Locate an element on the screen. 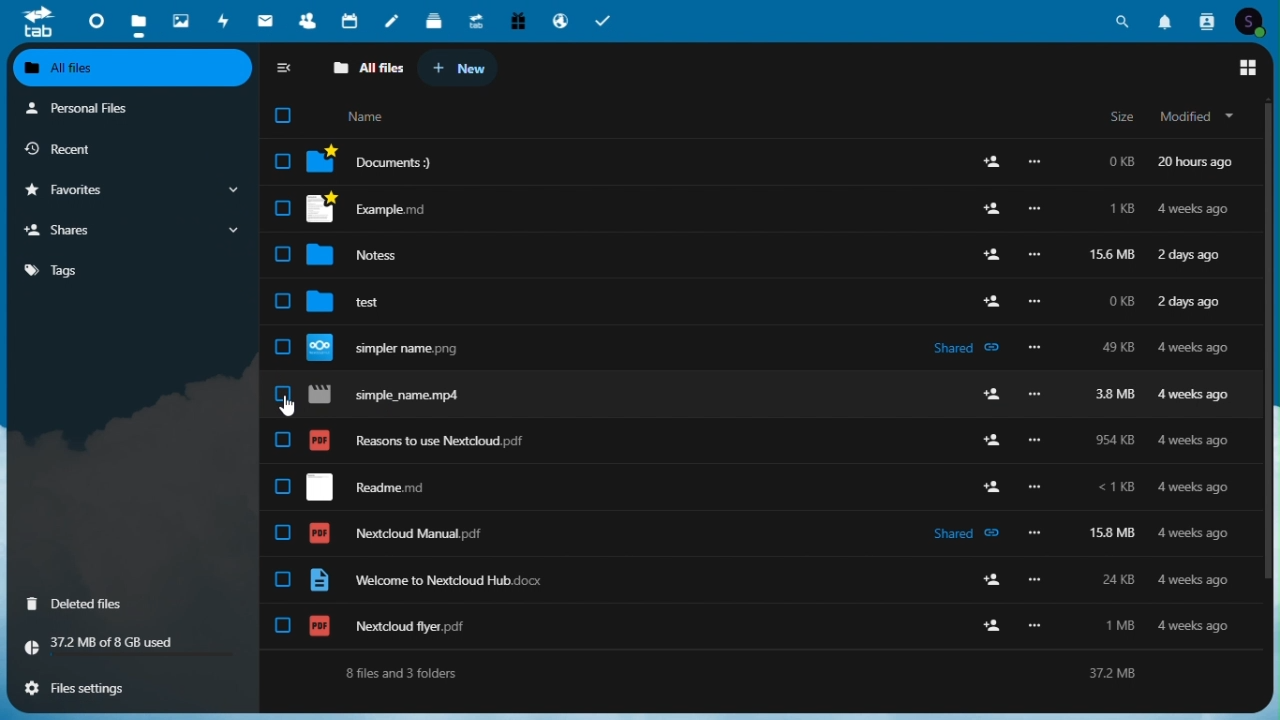  Welcome to notebook hub is located at coordinates (745, 581).